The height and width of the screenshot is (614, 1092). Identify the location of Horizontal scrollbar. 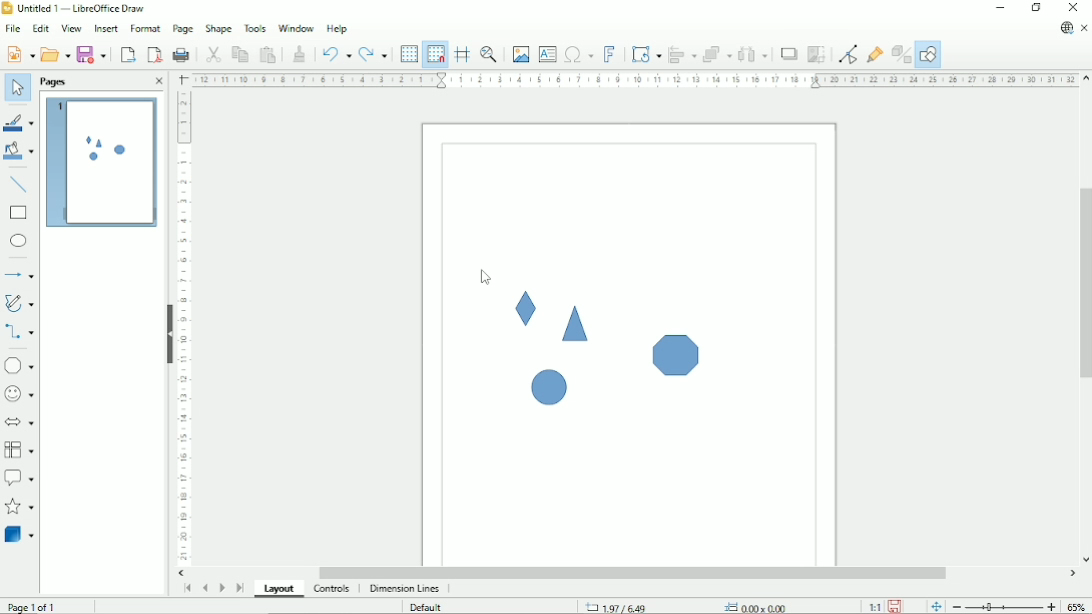
(635, 572).